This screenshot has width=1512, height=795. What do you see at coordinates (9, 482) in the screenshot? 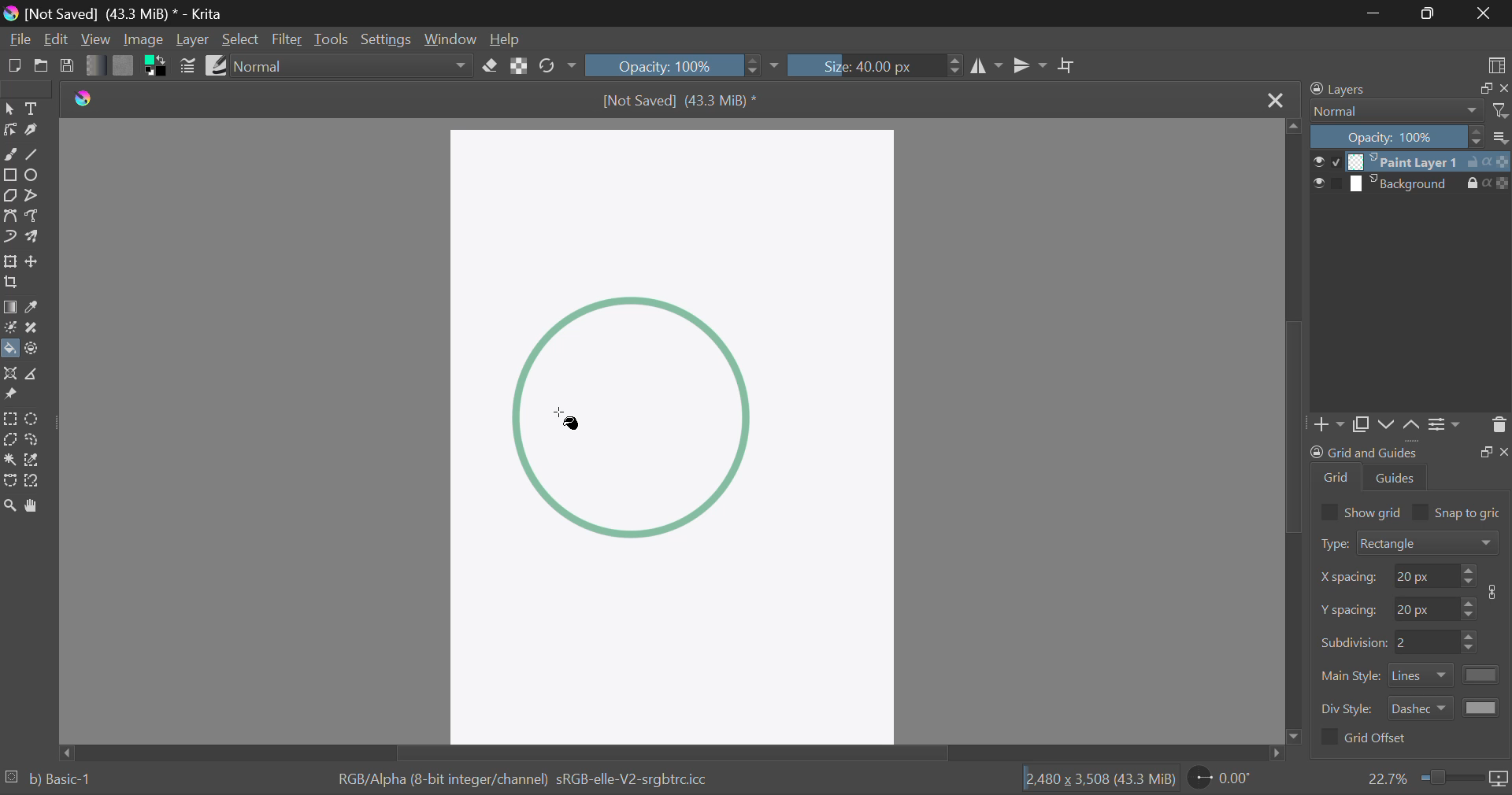
I see `Bezier Curve Selection` at bounding box center [9, 482].